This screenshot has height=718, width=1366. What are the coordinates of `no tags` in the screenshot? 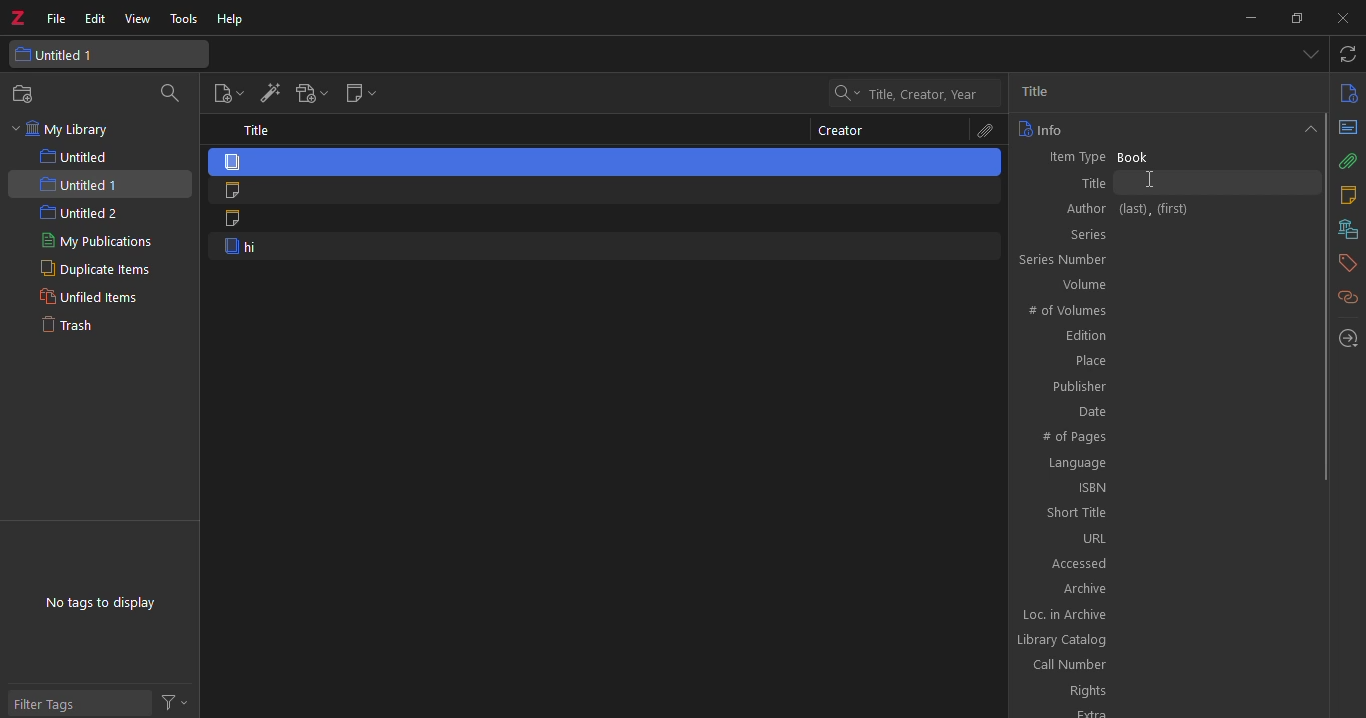 It's located at (99, 603).